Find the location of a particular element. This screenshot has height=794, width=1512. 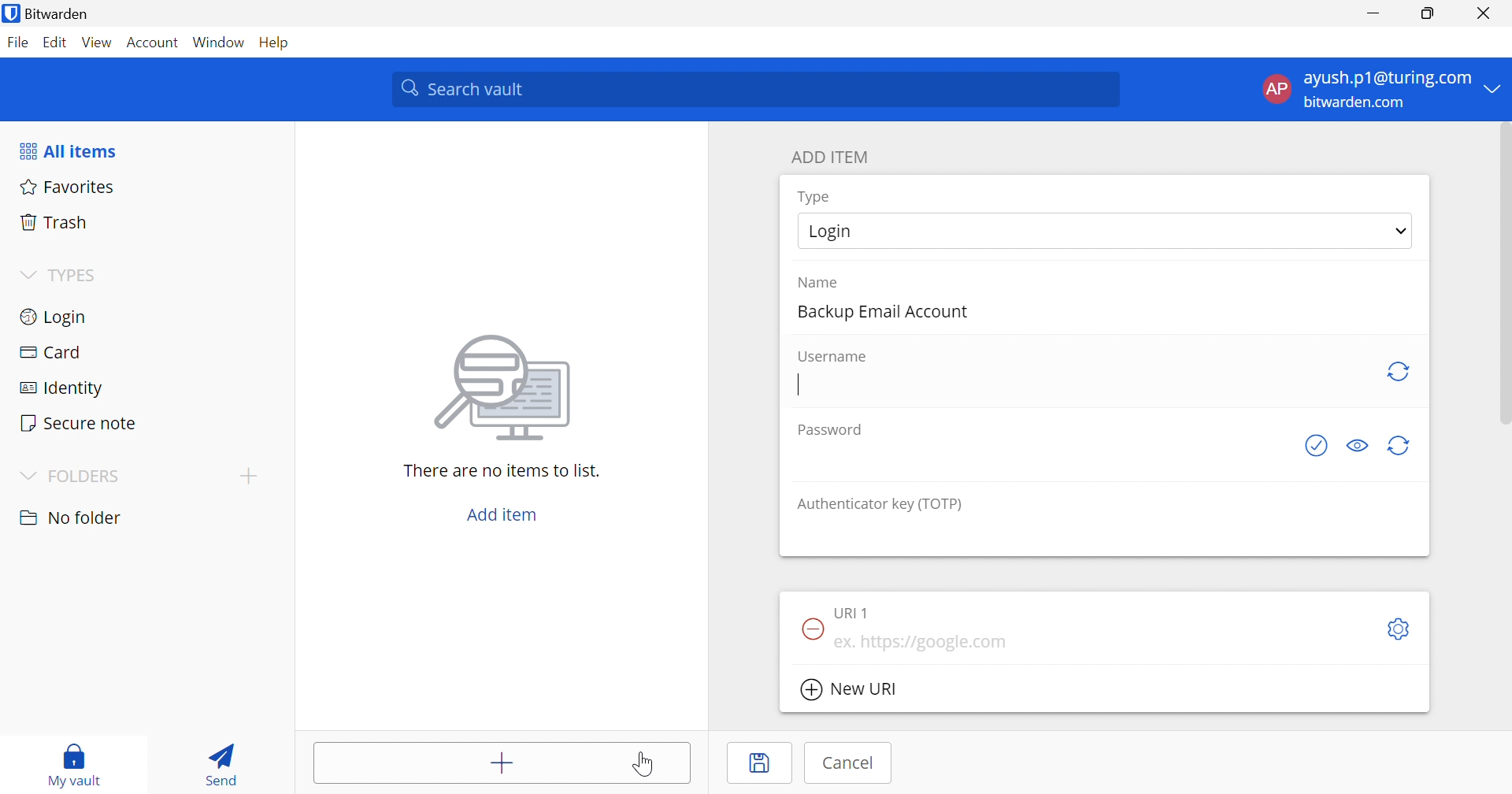

Generate password is located at coordinates (1403, 447).